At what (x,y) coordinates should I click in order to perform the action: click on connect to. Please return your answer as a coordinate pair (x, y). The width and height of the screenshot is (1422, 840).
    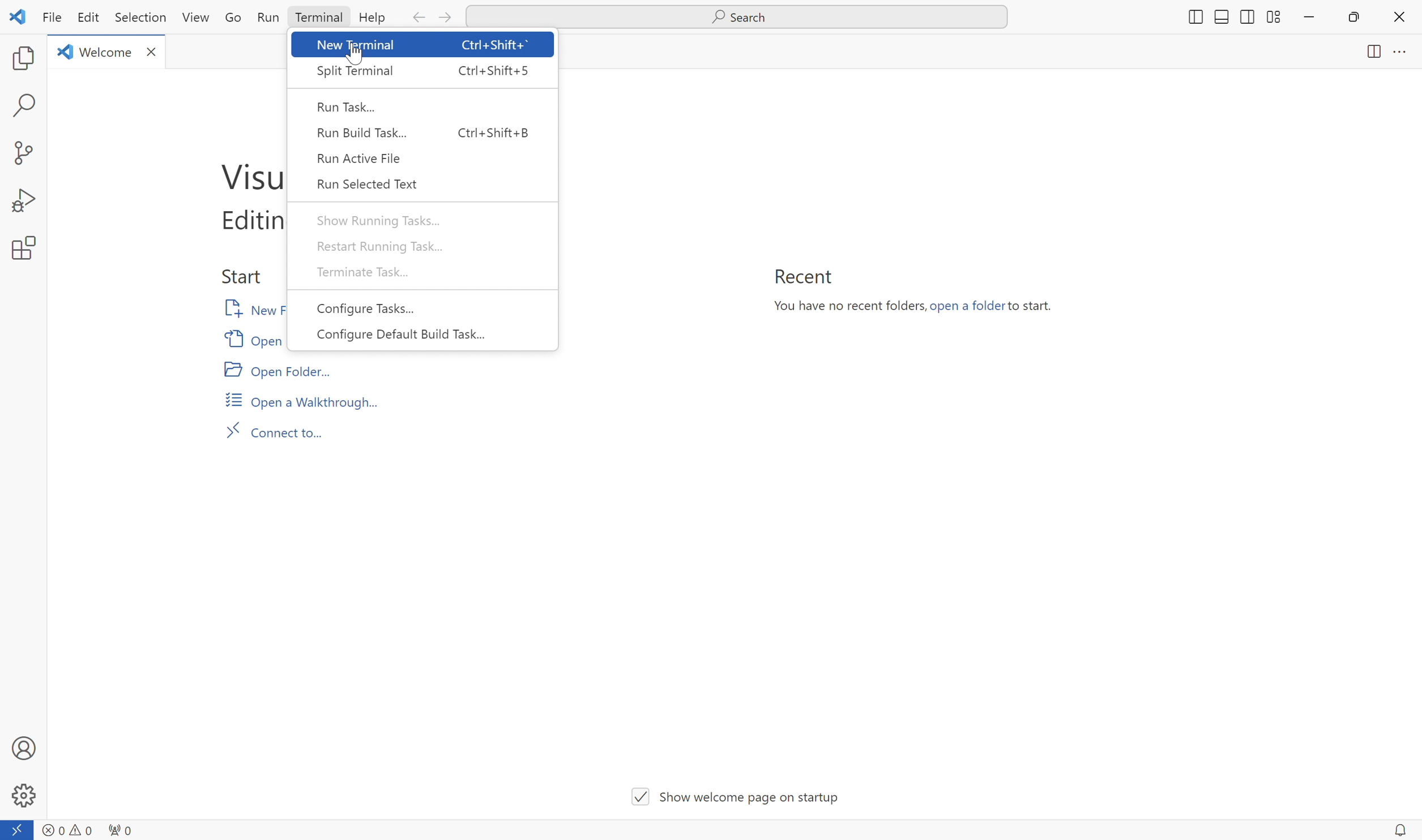
    Looking at the image, I should click on (18, 830).